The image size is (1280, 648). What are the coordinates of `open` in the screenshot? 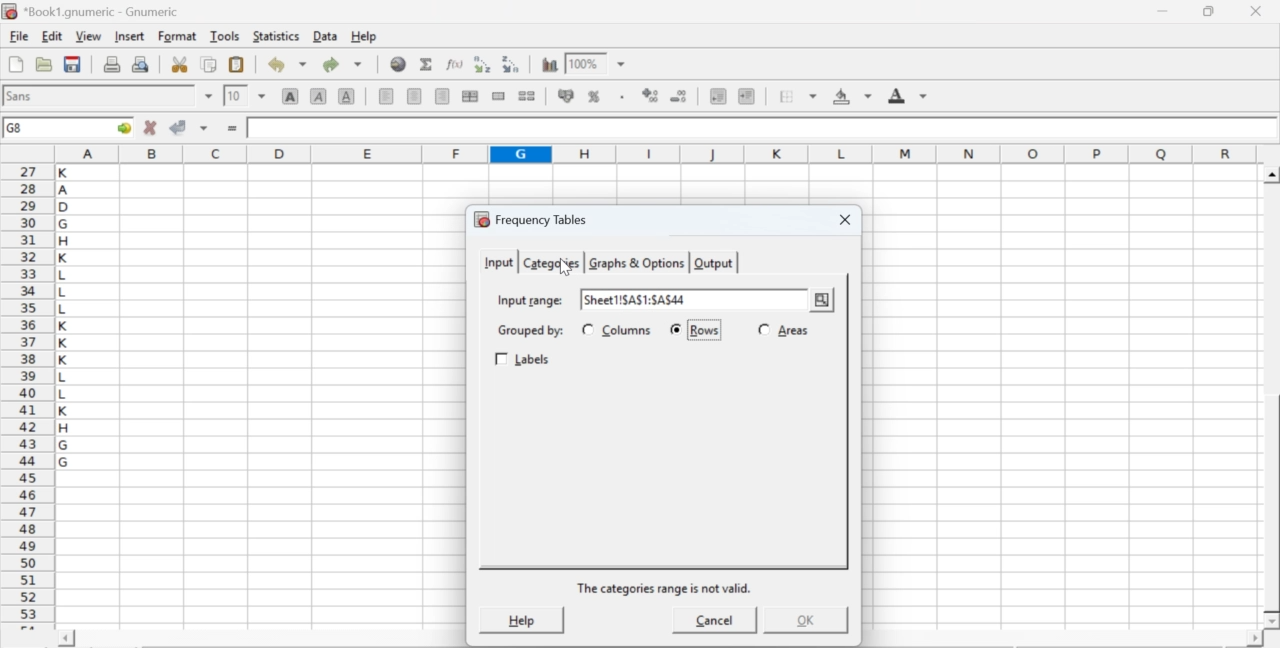 It's located at (42, 64).